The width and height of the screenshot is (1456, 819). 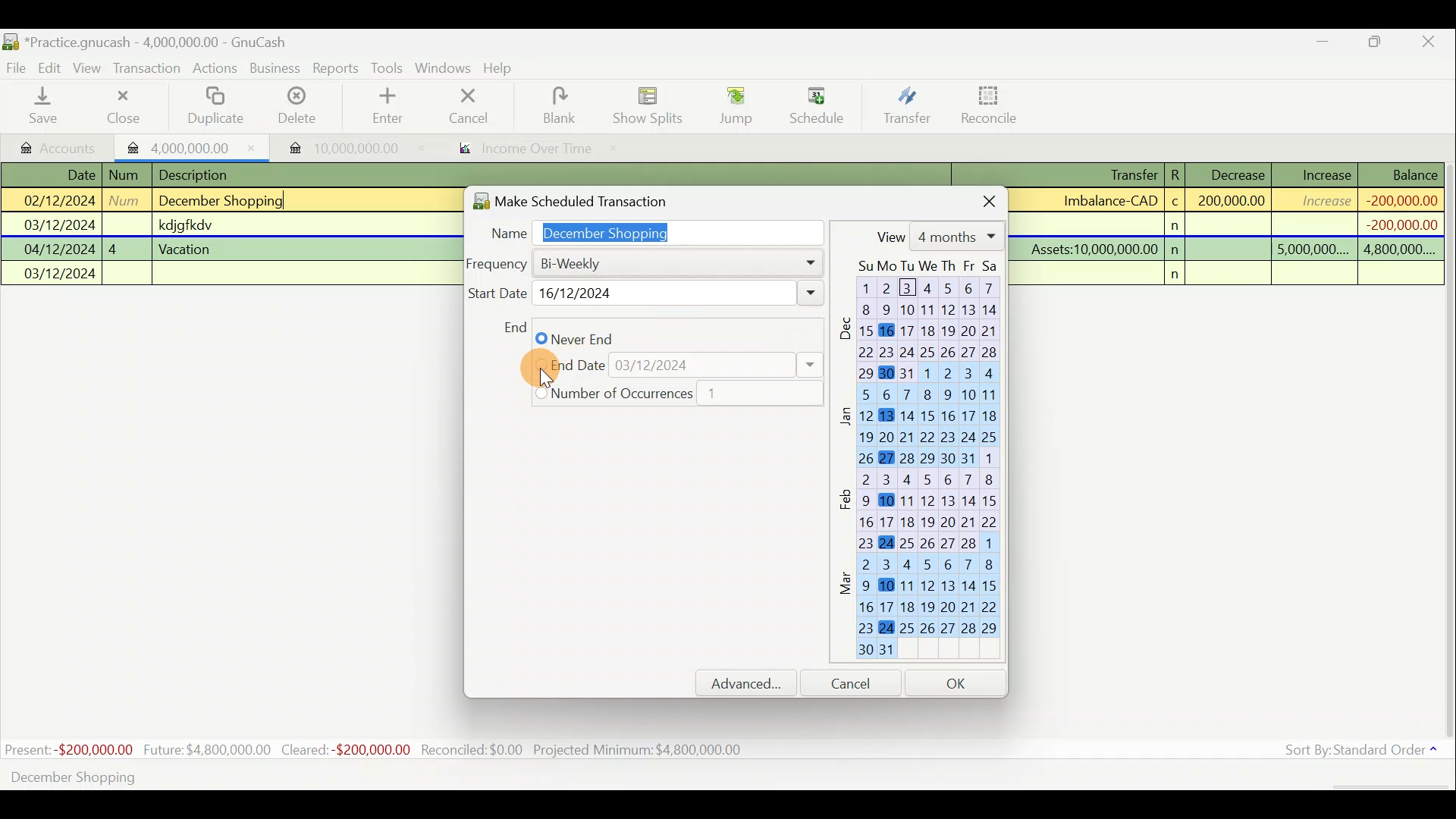 I want to click on Reconcile, so click(x=995, y=104).